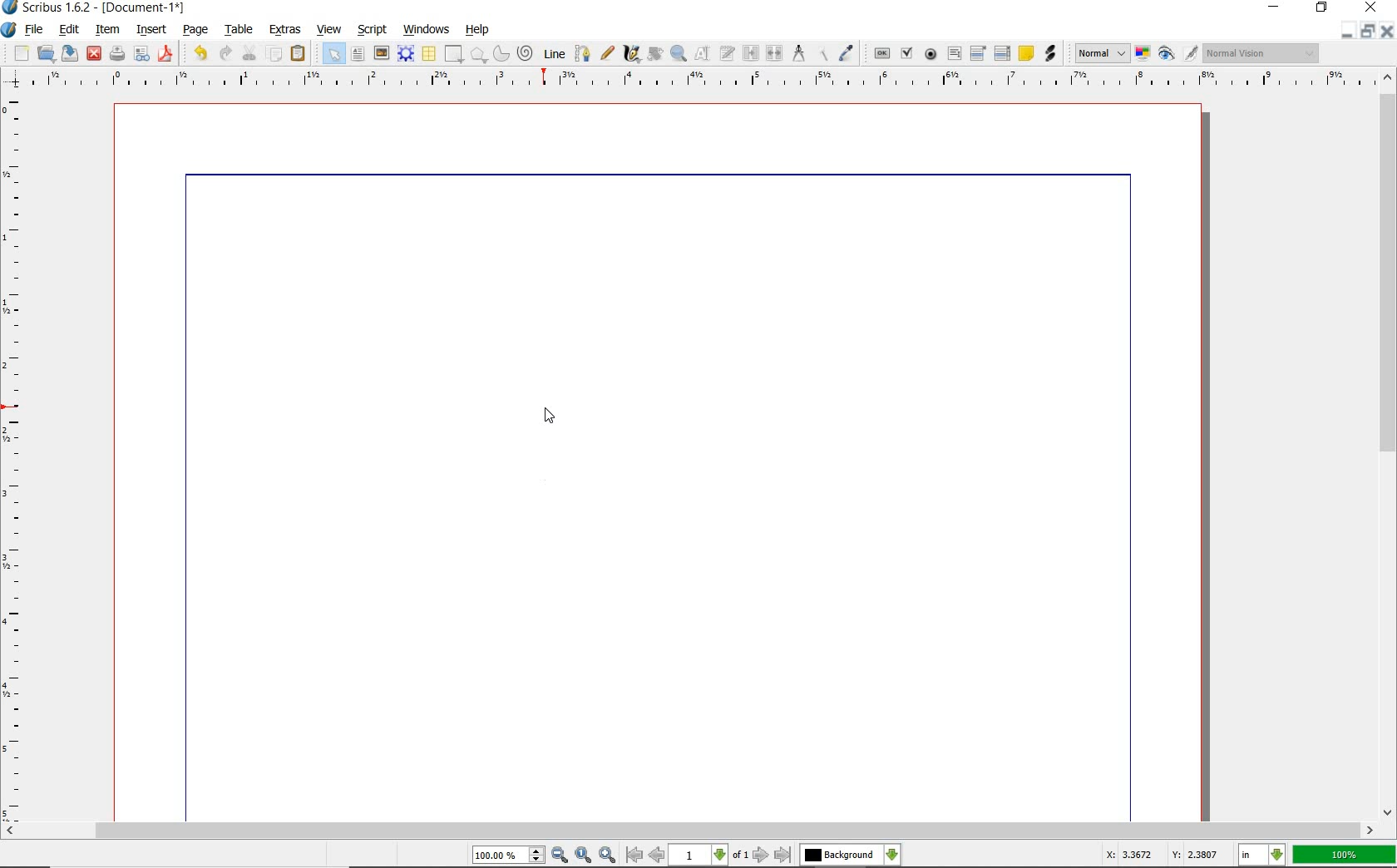 The width and height of the screenshot is (1397, 868). What do you see at coordinates (332, 31) in the screenshot?
I see `view` at bounding box center [332, 31].